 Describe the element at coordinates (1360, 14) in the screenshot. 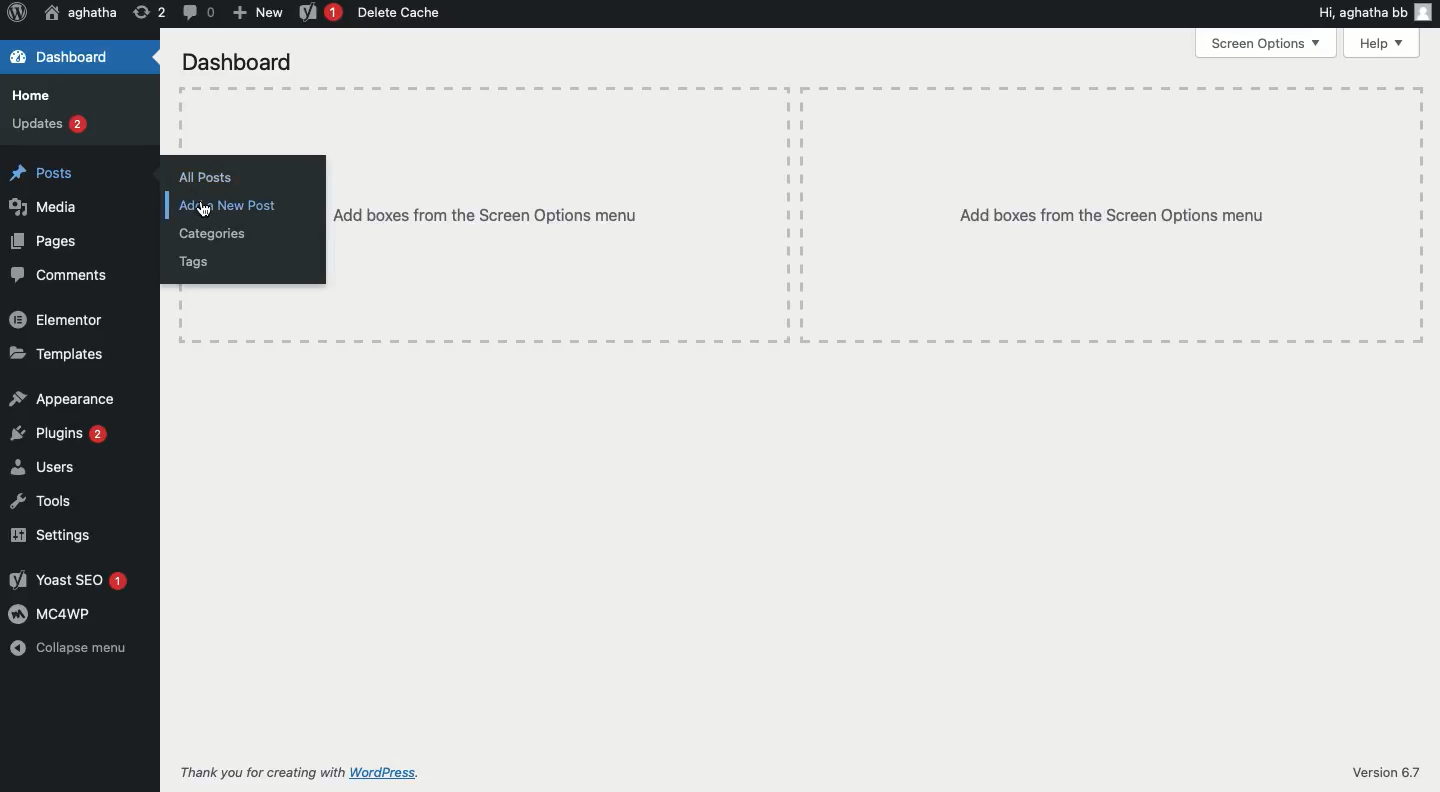

I see `Hi, aghatha bb` at that location.